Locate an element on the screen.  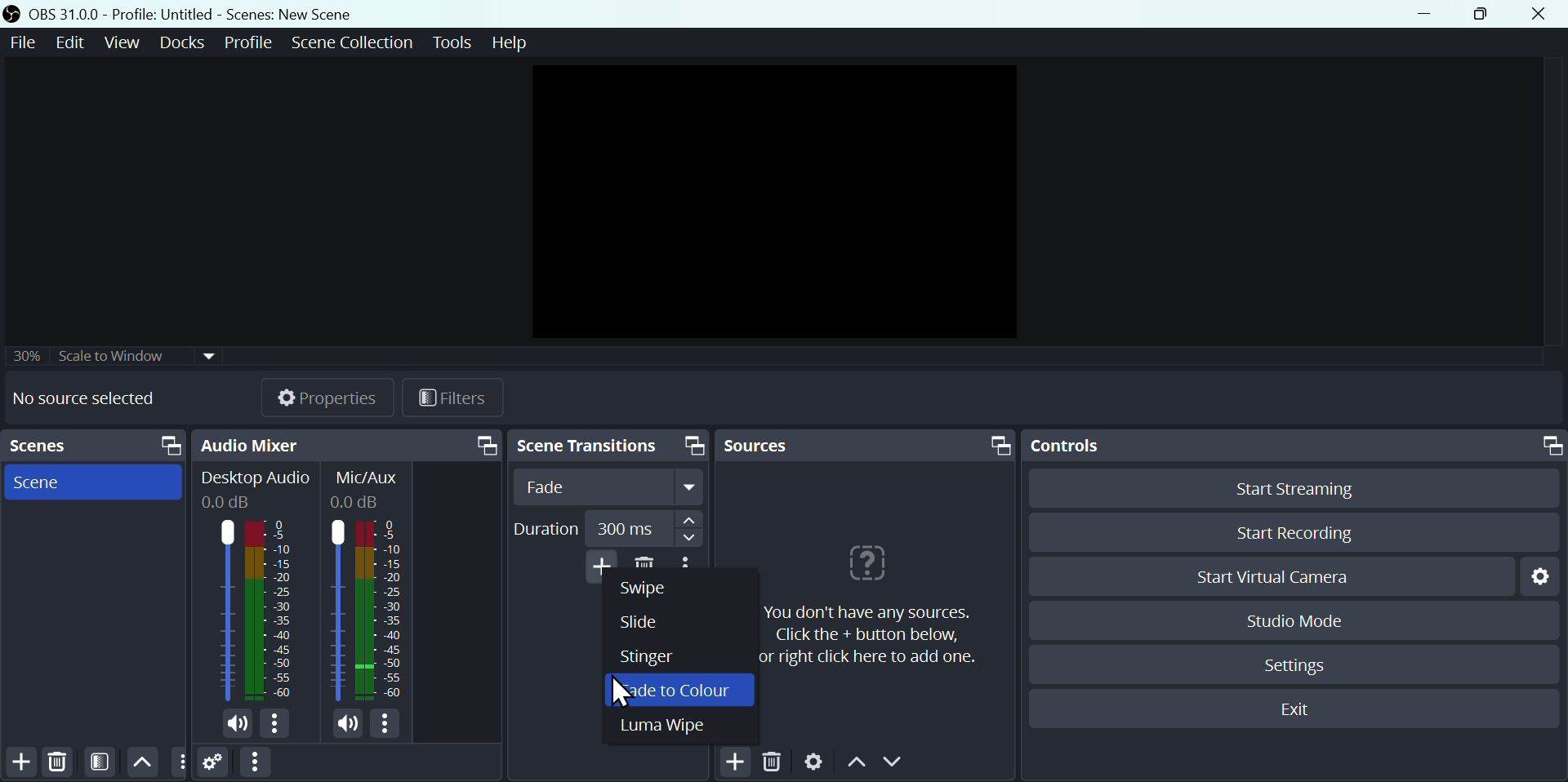
more options is located at coordinates (390, 726).